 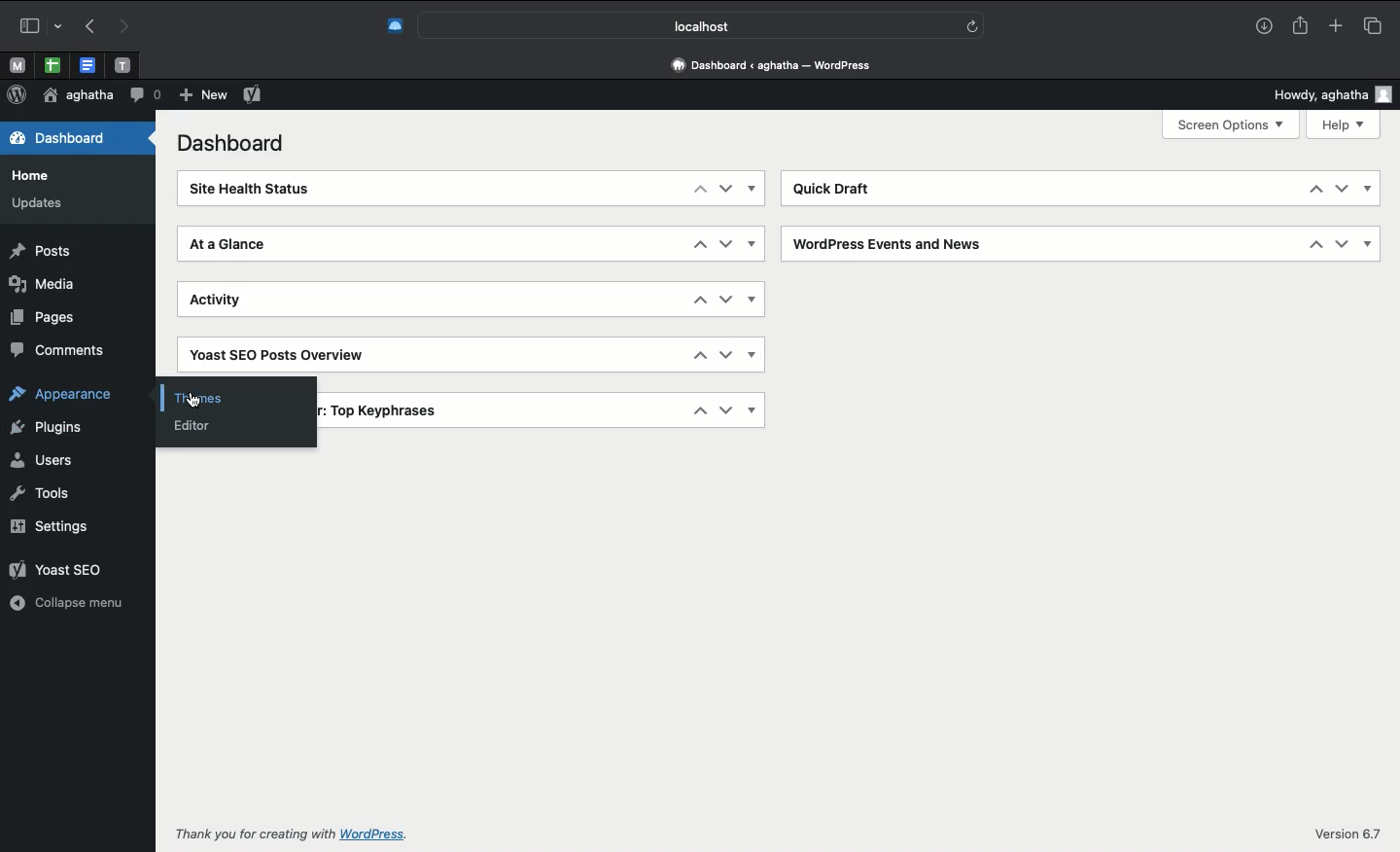 What do you see at coordinates (1346, 124) in the screenshot?
I see `Help` at bounding box center [1346, 124].